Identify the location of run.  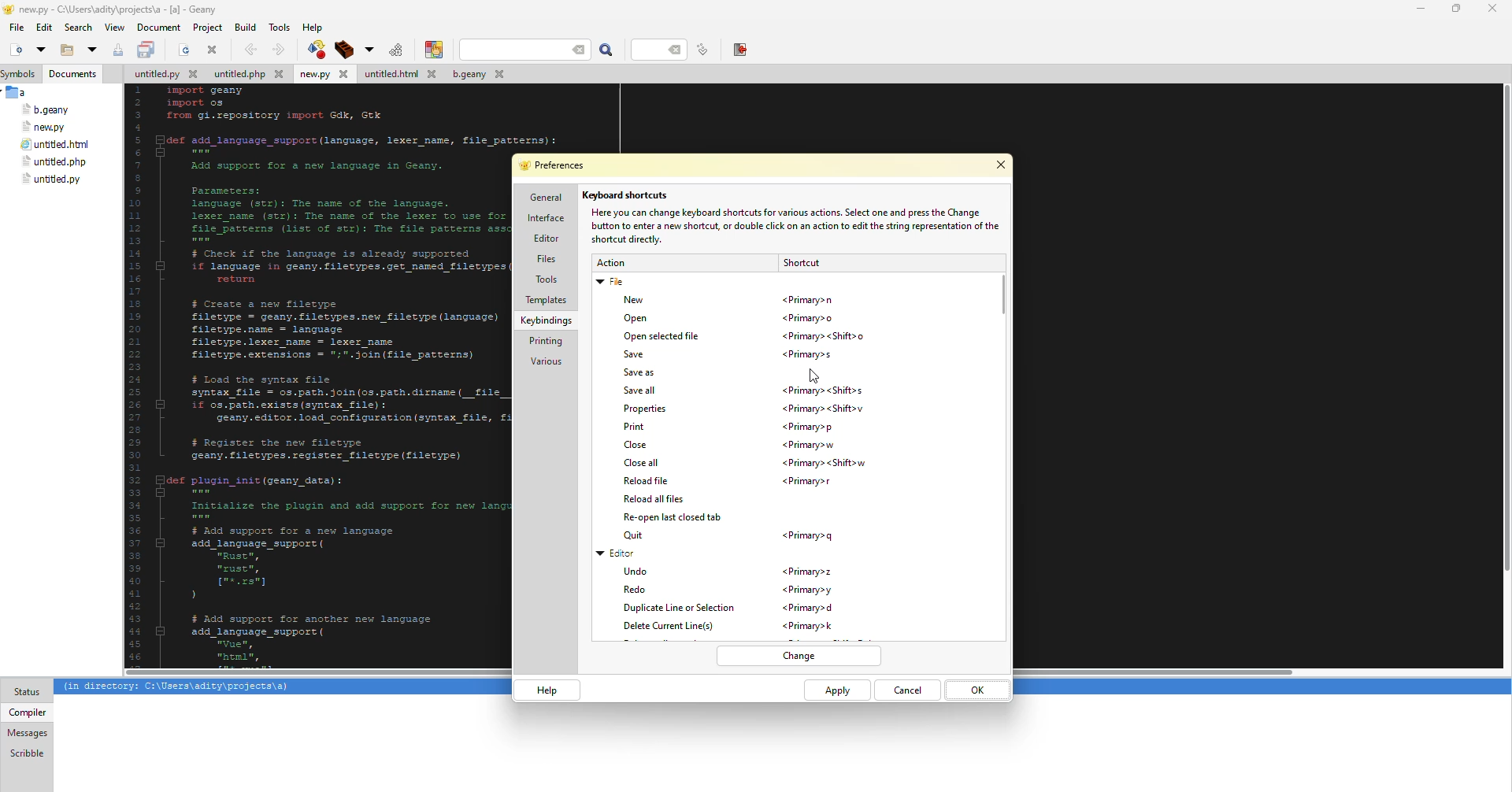
(394, 50).